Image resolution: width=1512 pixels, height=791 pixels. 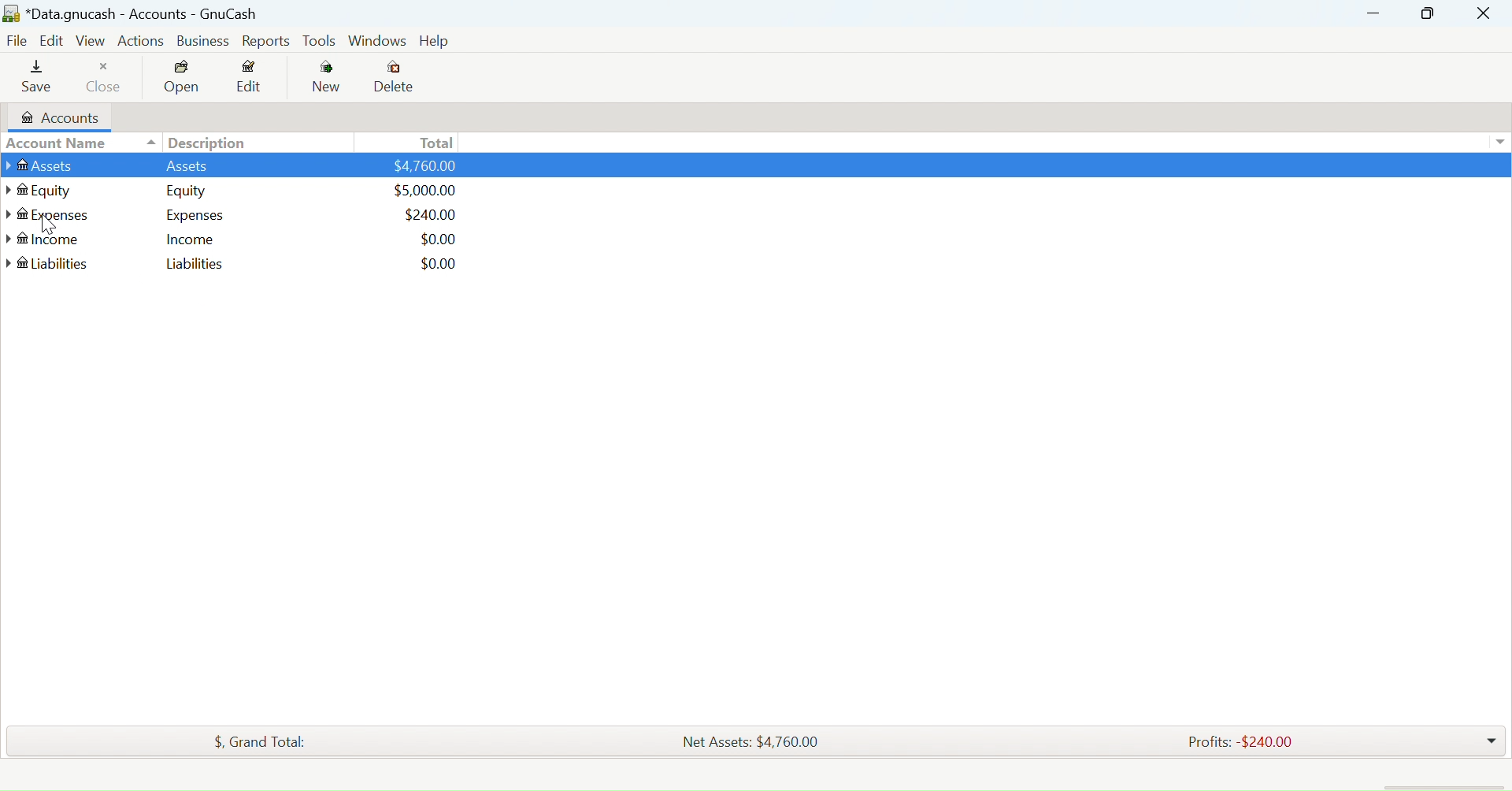 What do you see at coordinates (53, 42) in the screenshot?
I see `Edit` at bounding box center [53, 42].